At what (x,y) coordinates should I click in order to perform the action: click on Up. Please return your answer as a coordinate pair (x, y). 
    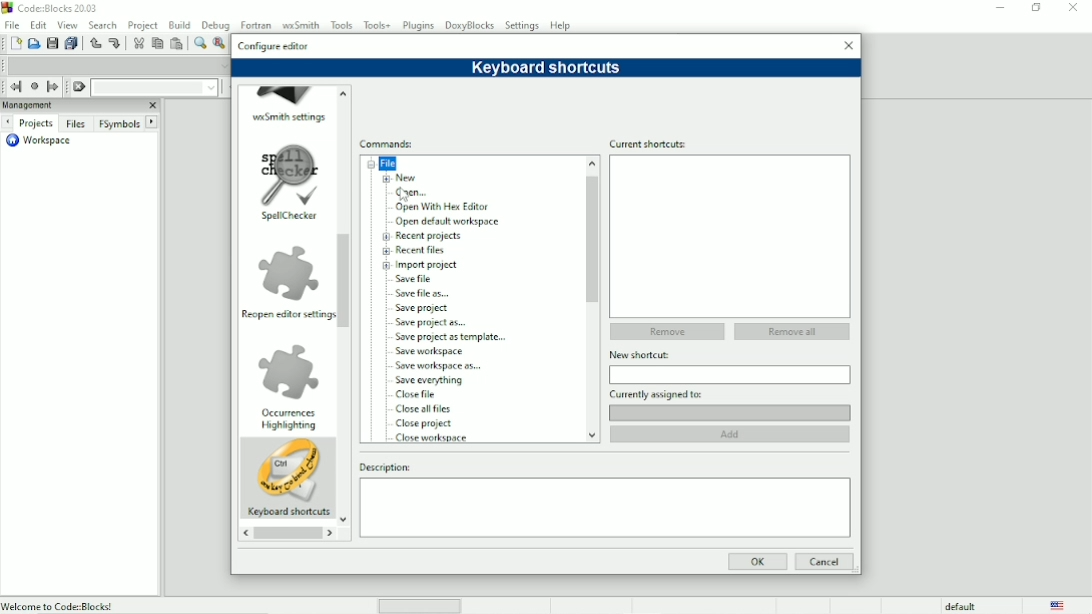
    Looking at the image, I should click on (590, 162).